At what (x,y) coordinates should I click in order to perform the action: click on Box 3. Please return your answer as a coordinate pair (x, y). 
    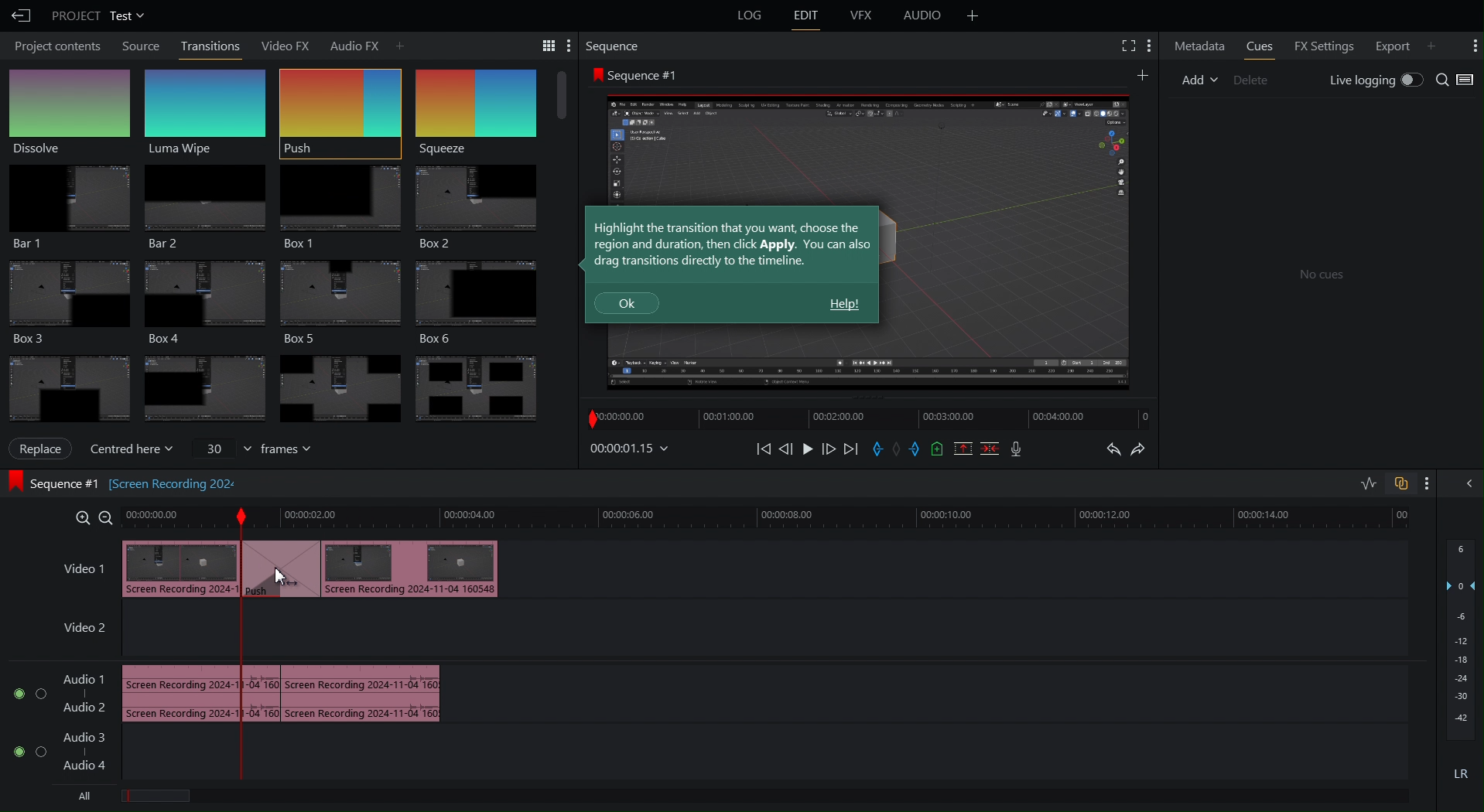
    Looking at the image, I should click on (343, 302).